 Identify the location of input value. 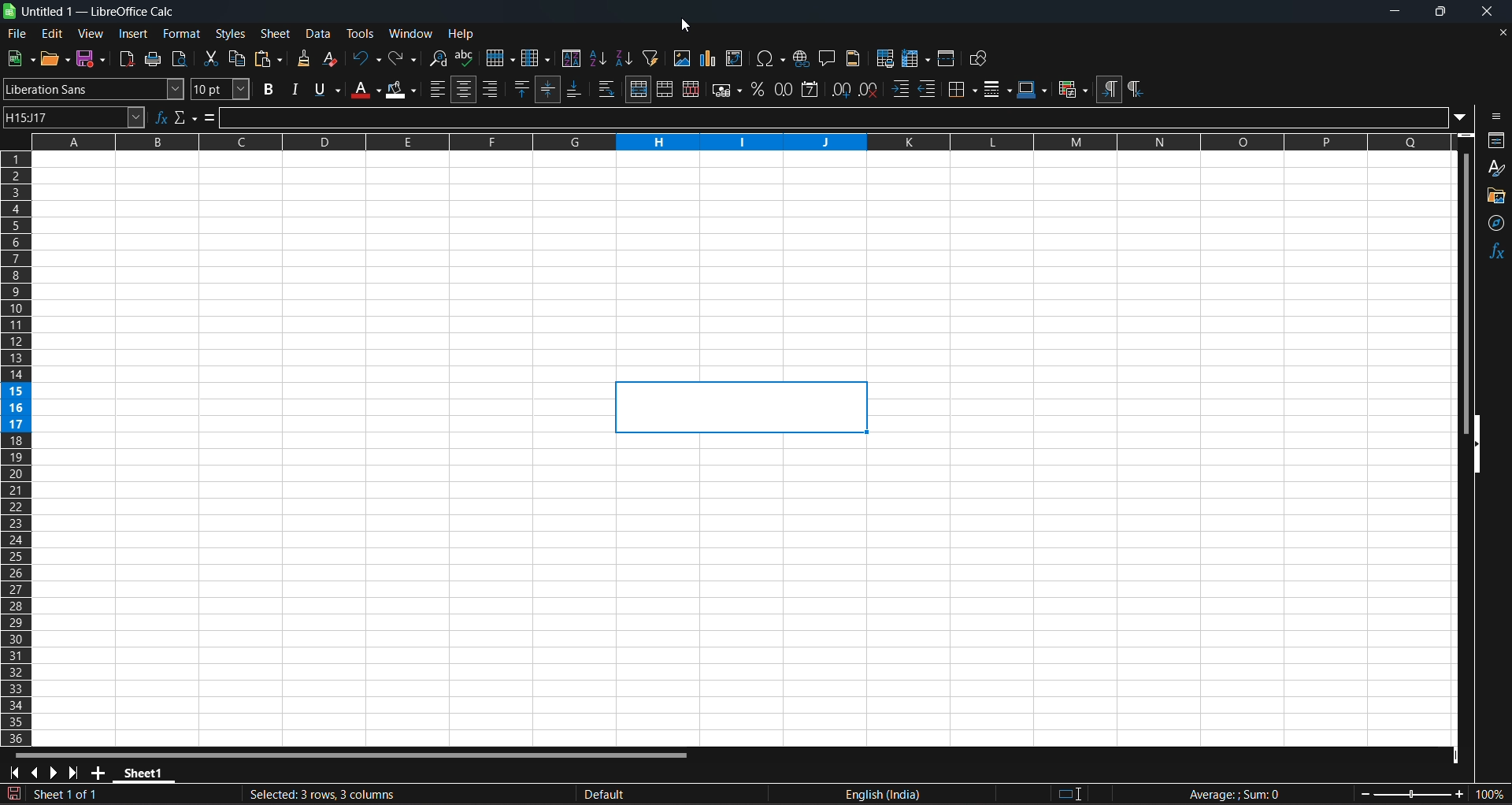
(847, 117).